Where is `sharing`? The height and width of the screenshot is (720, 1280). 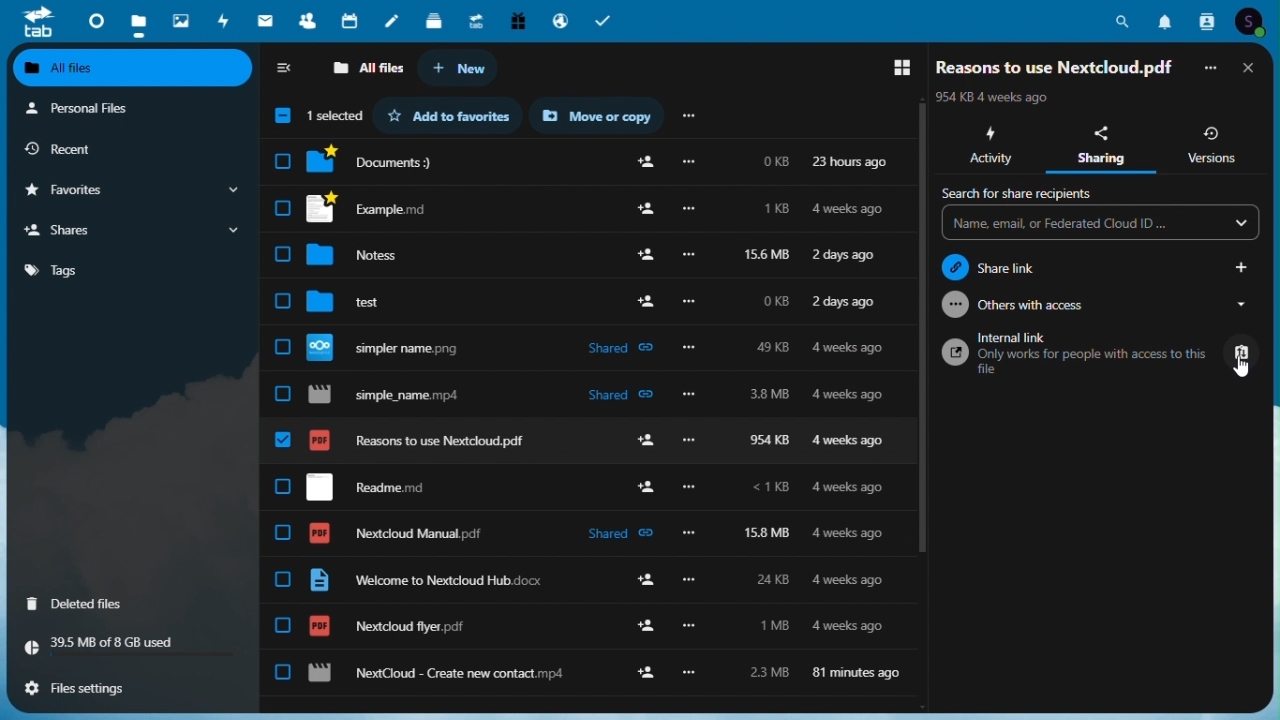 sharing is located at coordinates (1098, 146).